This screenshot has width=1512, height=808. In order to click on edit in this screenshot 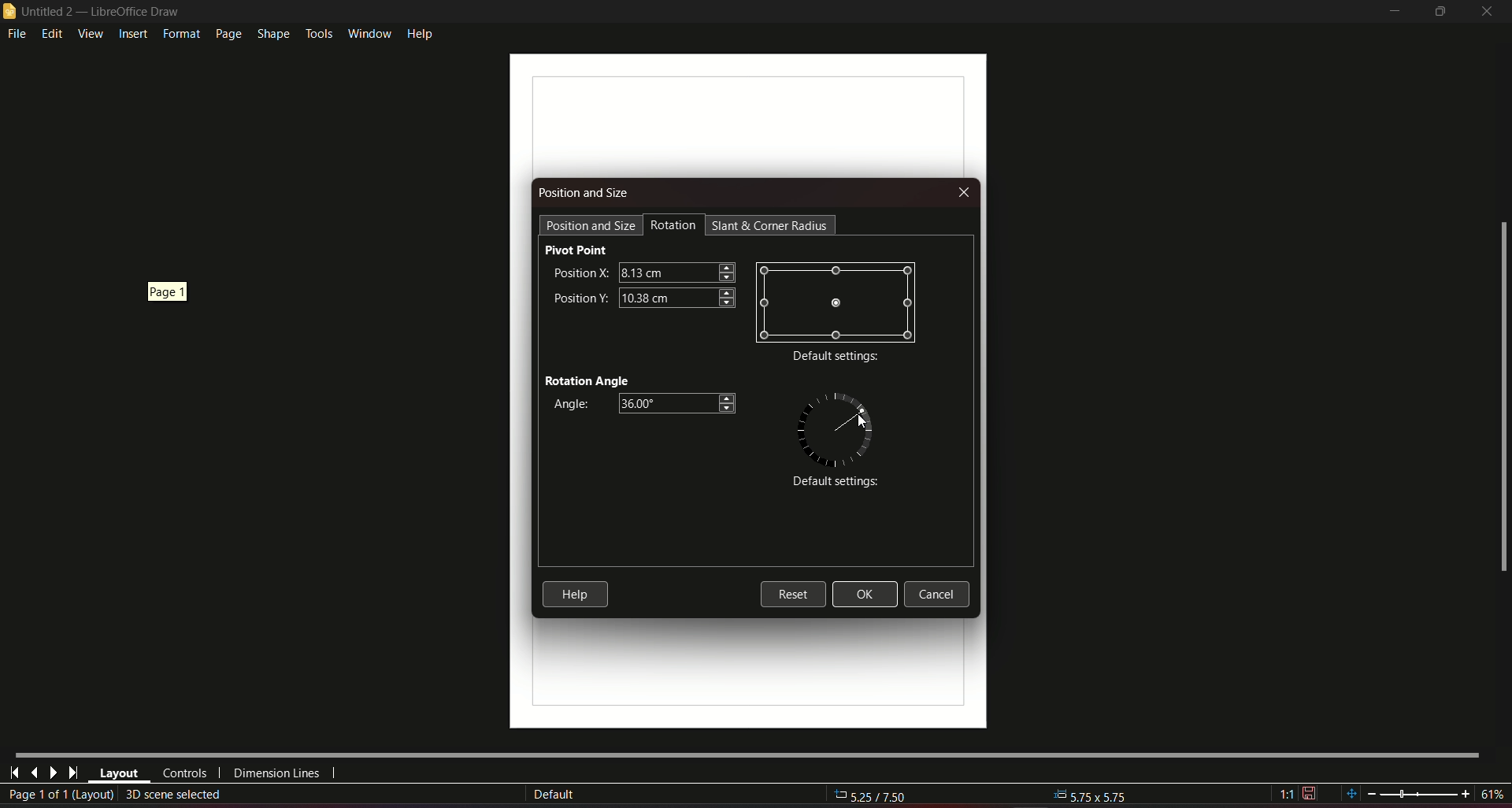, I will do `click(53, 33)`.